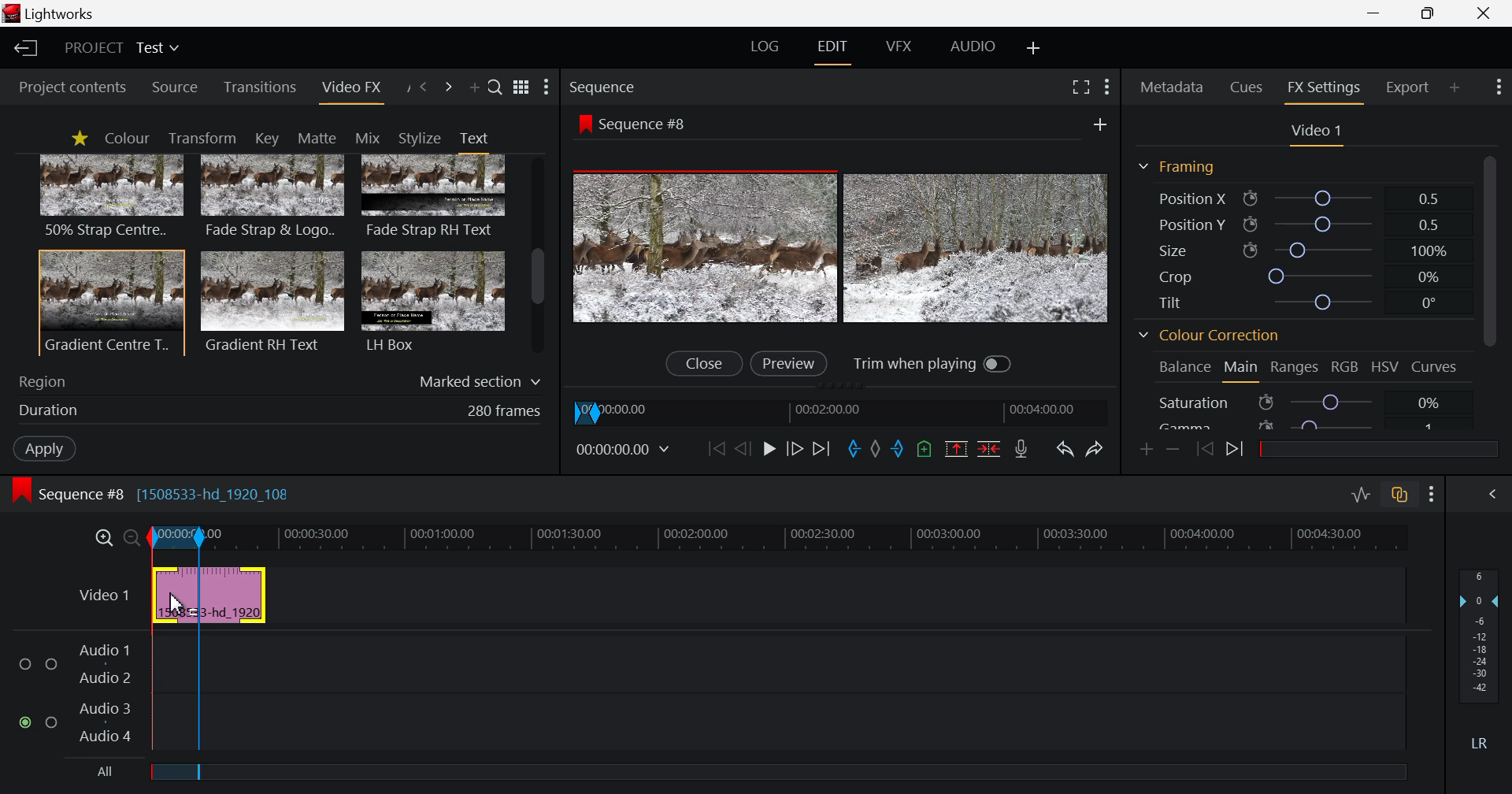 The height and width of the screenshot is (794, 1512). Describe the element at coordinates (1300, 248) in the screenshot. I see `Size` at that location.